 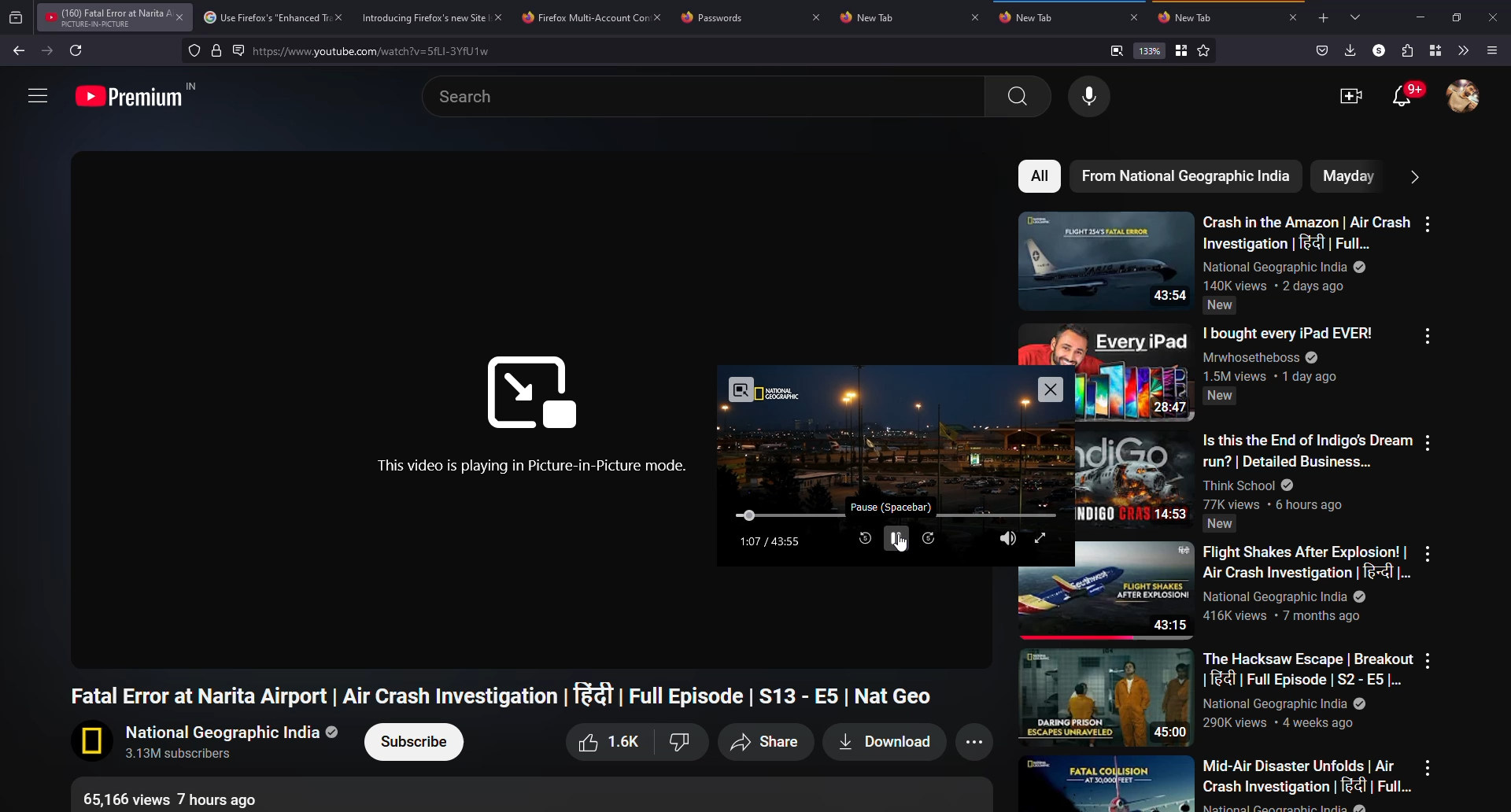 I want to click on search, so click(x=382, y=52).